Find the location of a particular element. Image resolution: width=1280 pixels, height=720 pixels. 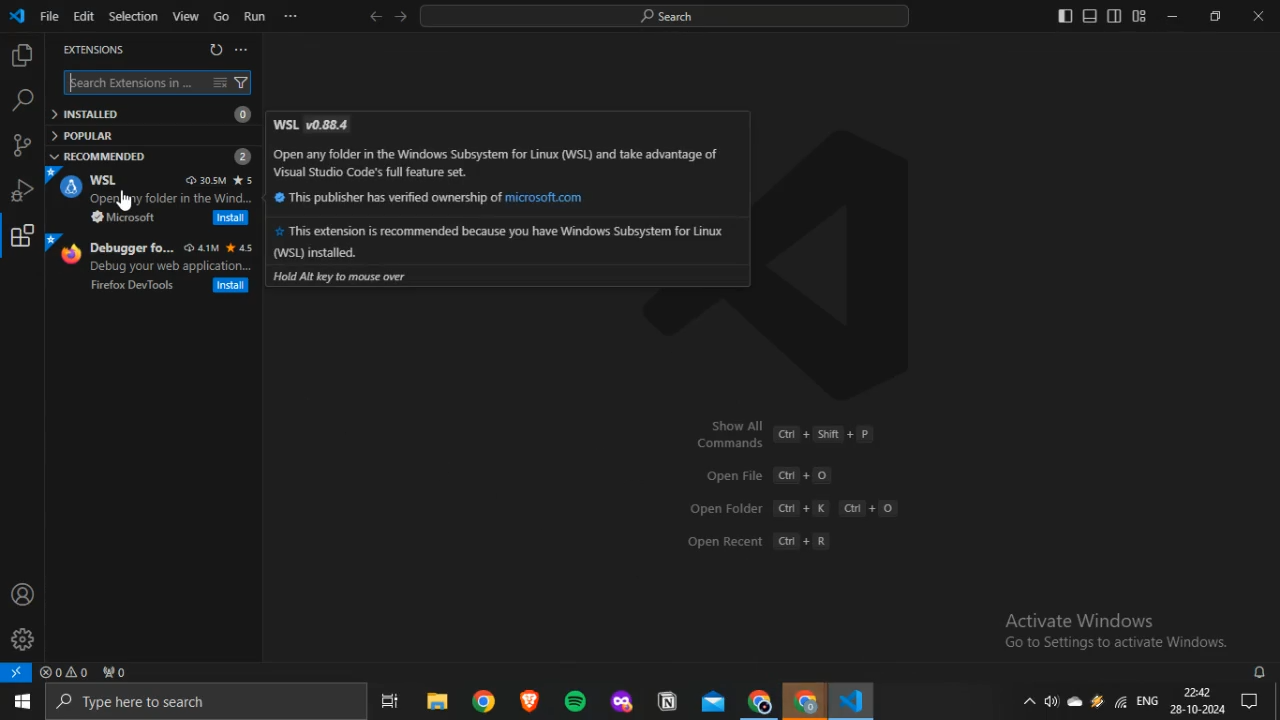

vscode icon is located at coordinates (18, 17).